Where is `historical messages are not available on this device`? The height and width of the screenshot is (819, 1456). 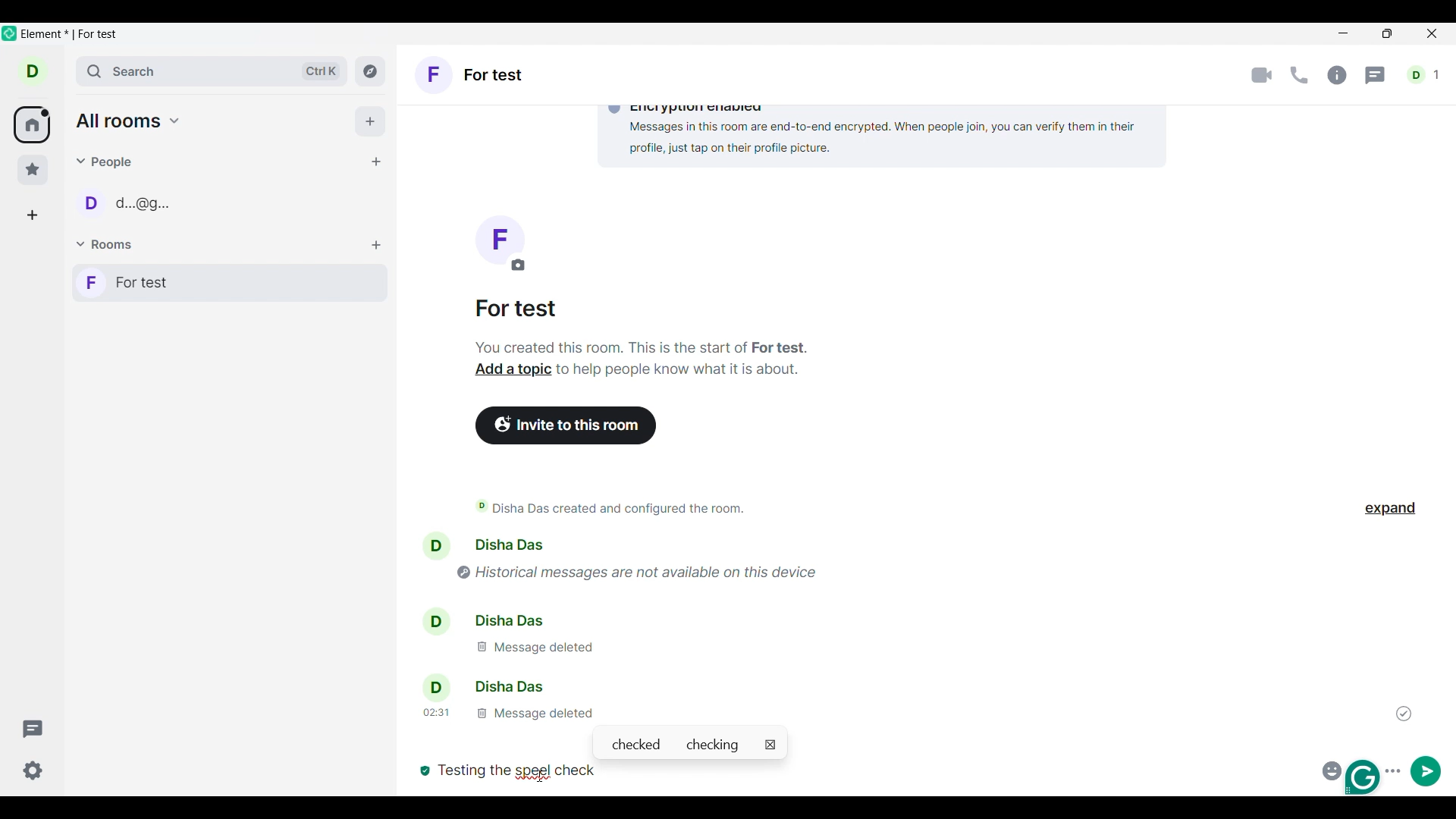 historical messages are not available on this device is located at coordinates (649, 570).